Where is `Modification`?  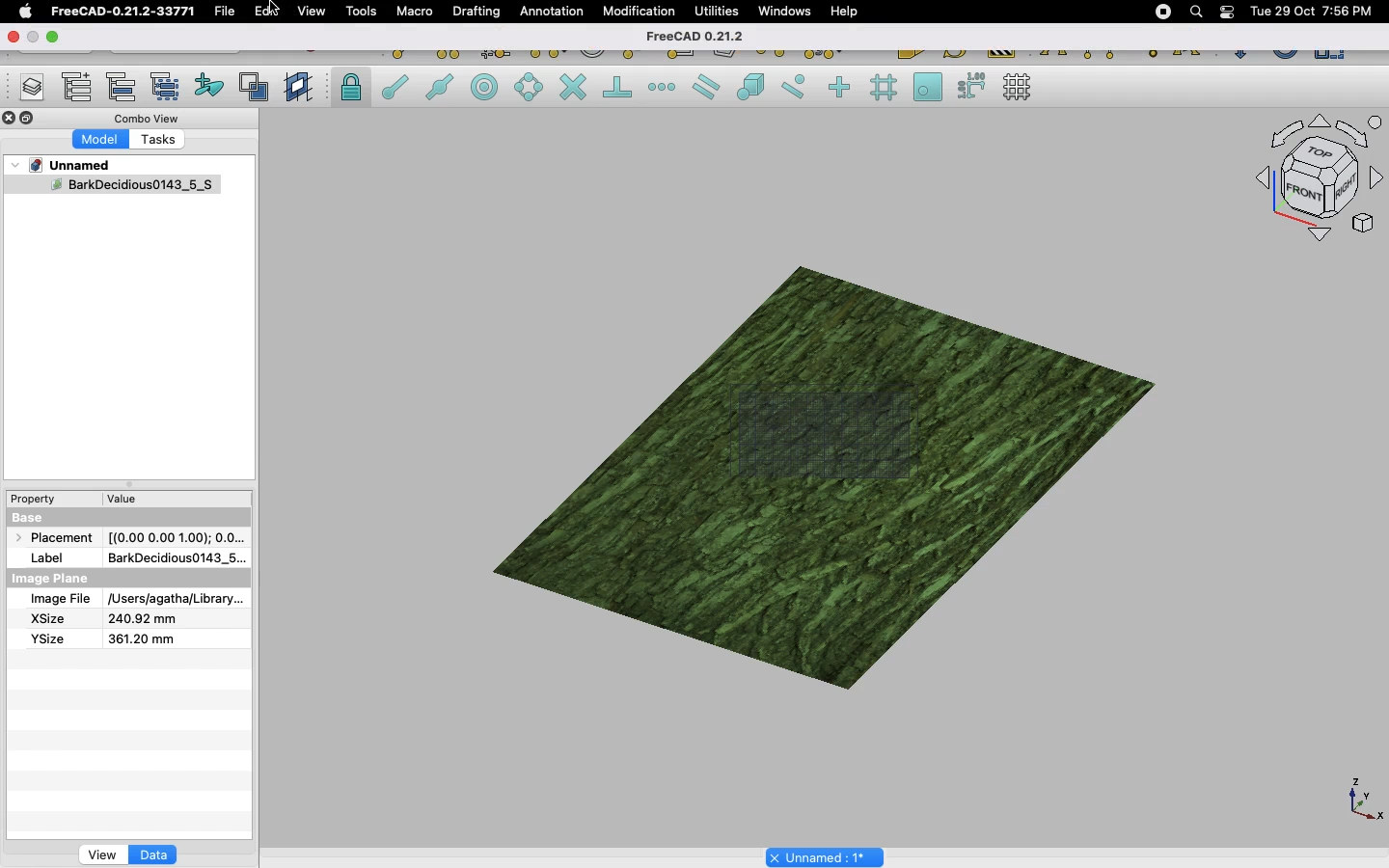
Modification is located at coordinates (643, 14).